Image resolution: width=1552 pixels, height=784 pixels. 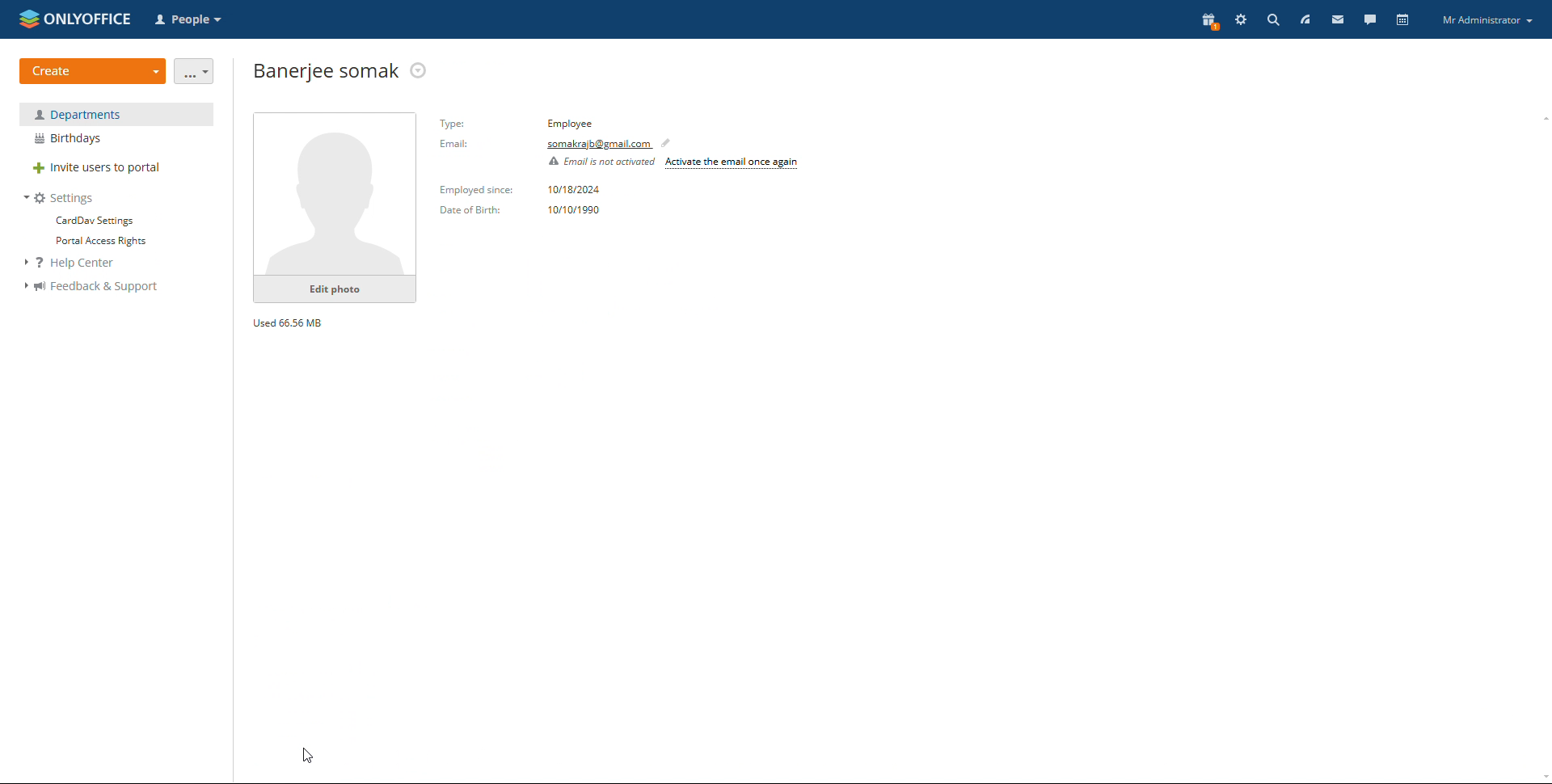 I want to click on date of birth, so click(x=576, y=210).